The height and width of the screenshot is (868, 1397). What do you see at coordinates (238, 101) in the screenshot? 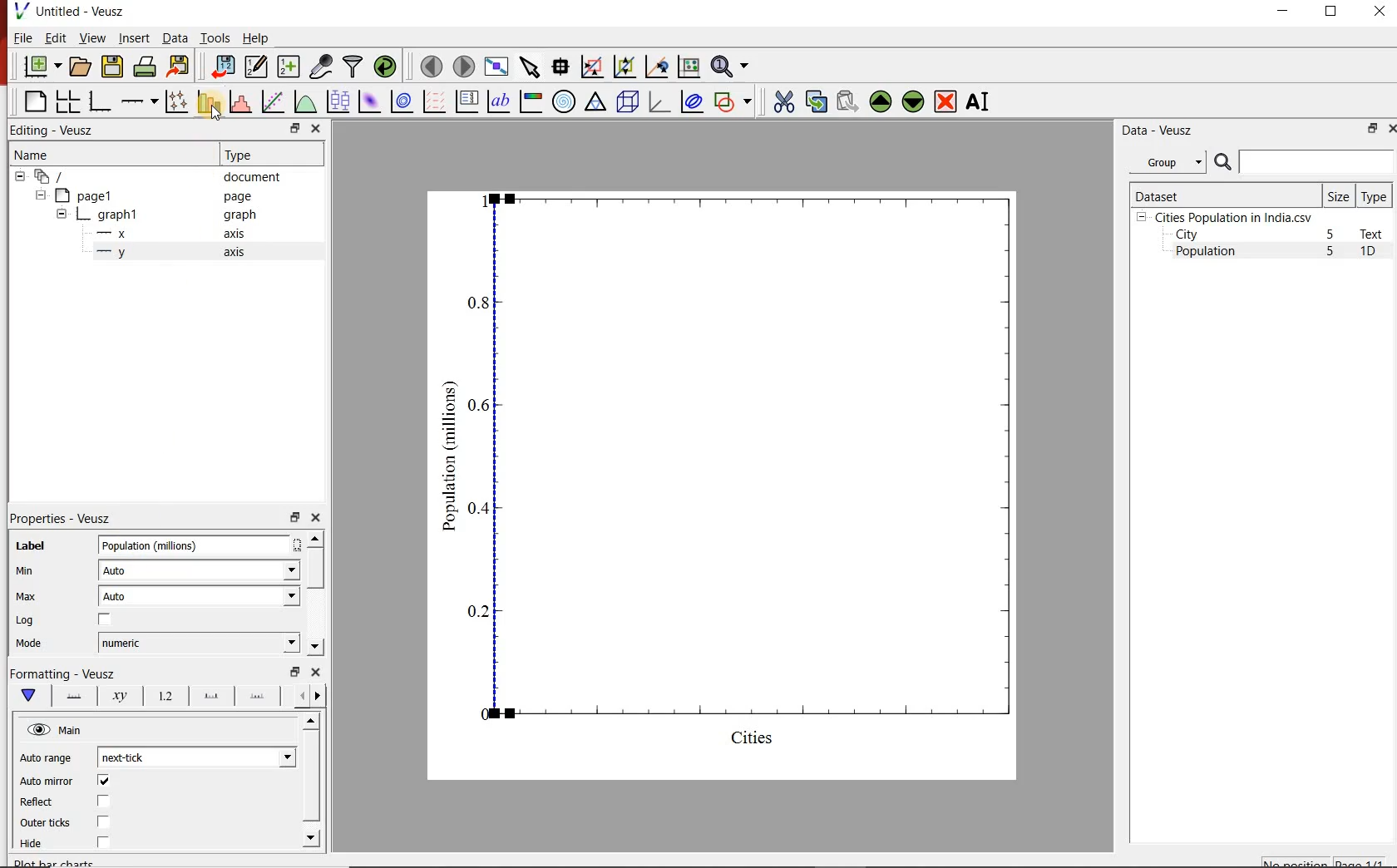
I see `histogram of a dataset` at bounding box center [238, 101].